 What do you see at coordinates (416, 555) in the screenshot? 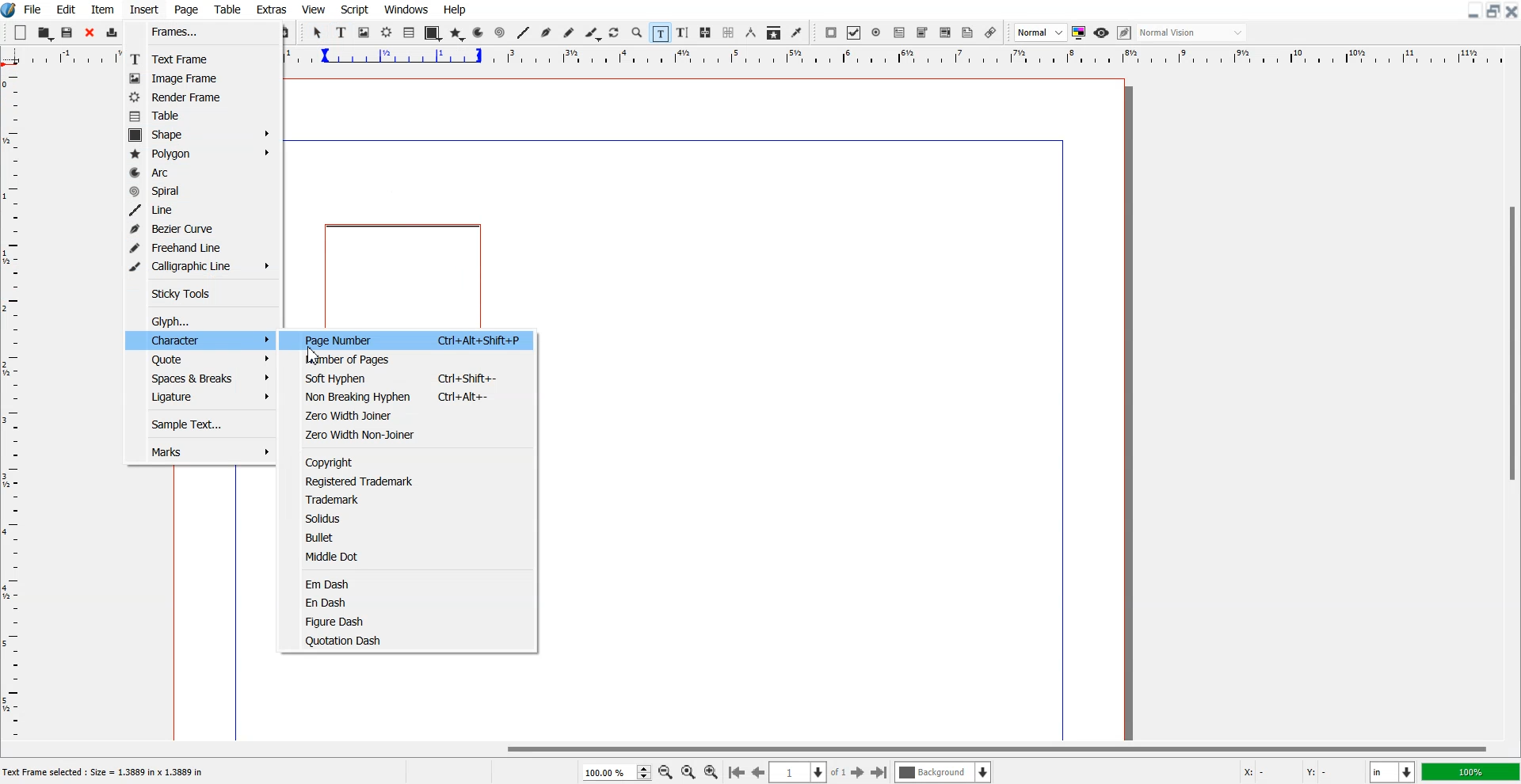
I see `Middle Dot` at bounding box center [416, 555].